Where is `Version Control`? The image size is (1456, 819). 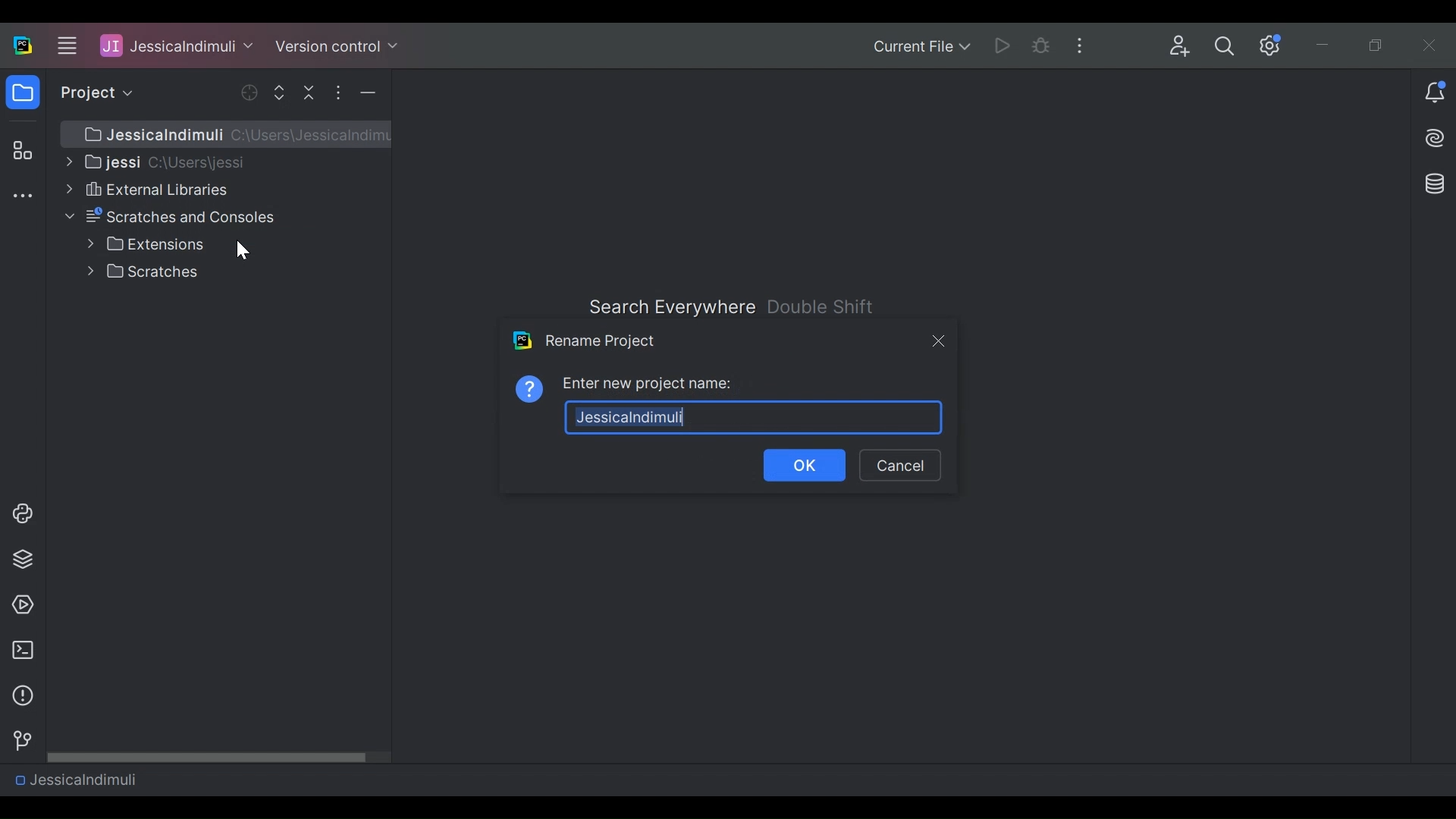 Version Control is located at coordinates (337, 45).